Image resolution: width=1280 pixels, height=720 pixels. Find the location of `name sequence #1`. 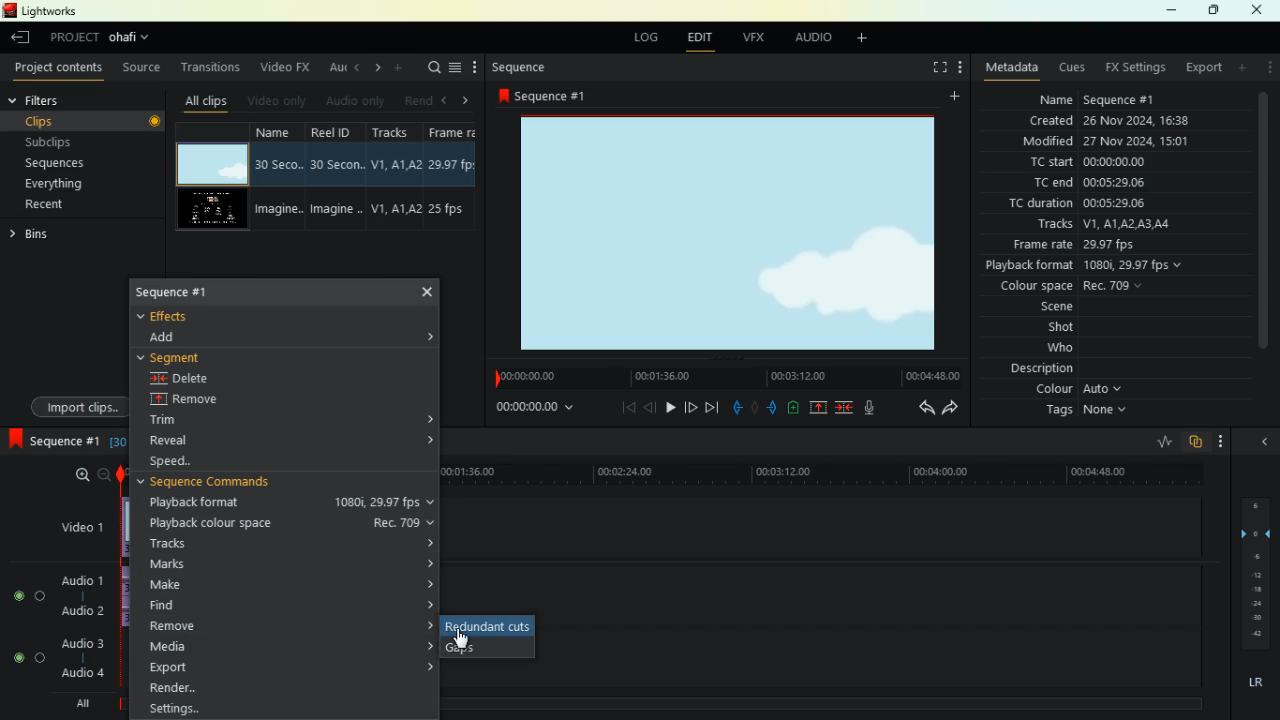

name sequence #1 is located at coordinates (1094, 99).